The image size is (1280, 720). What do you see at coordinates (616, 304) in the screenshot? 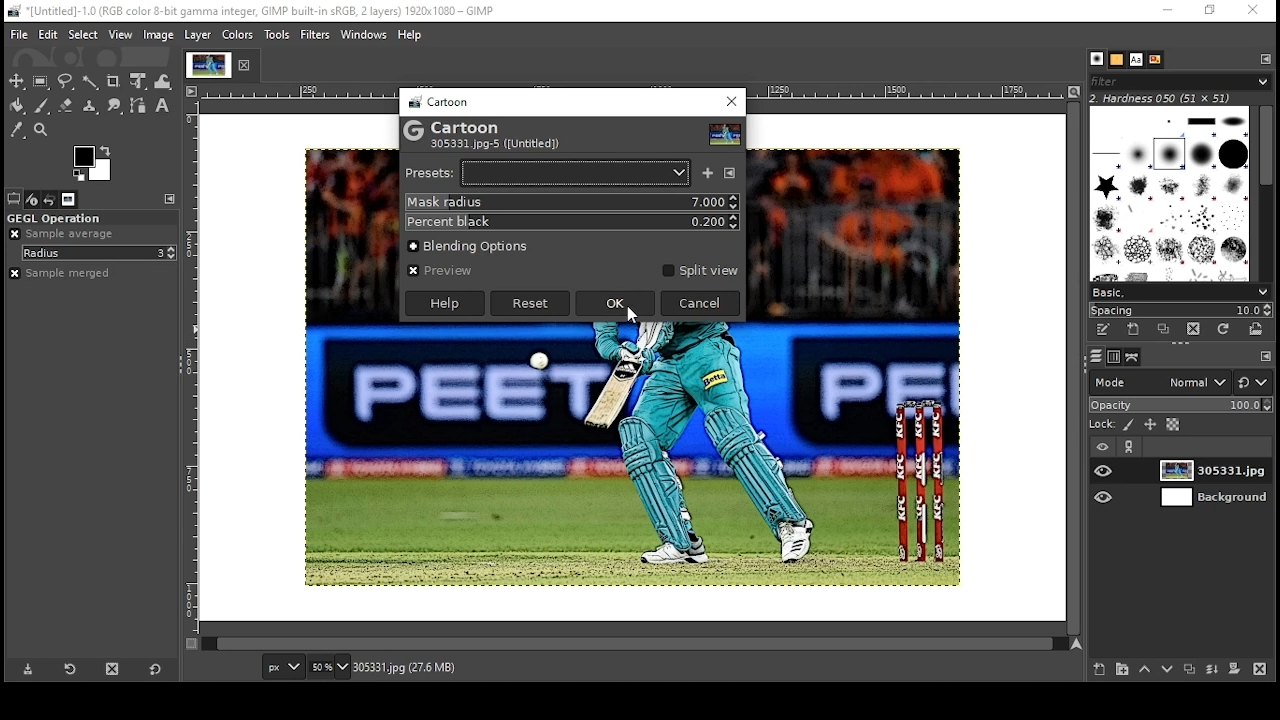
I see `ok` at bounding box center [616, 304].